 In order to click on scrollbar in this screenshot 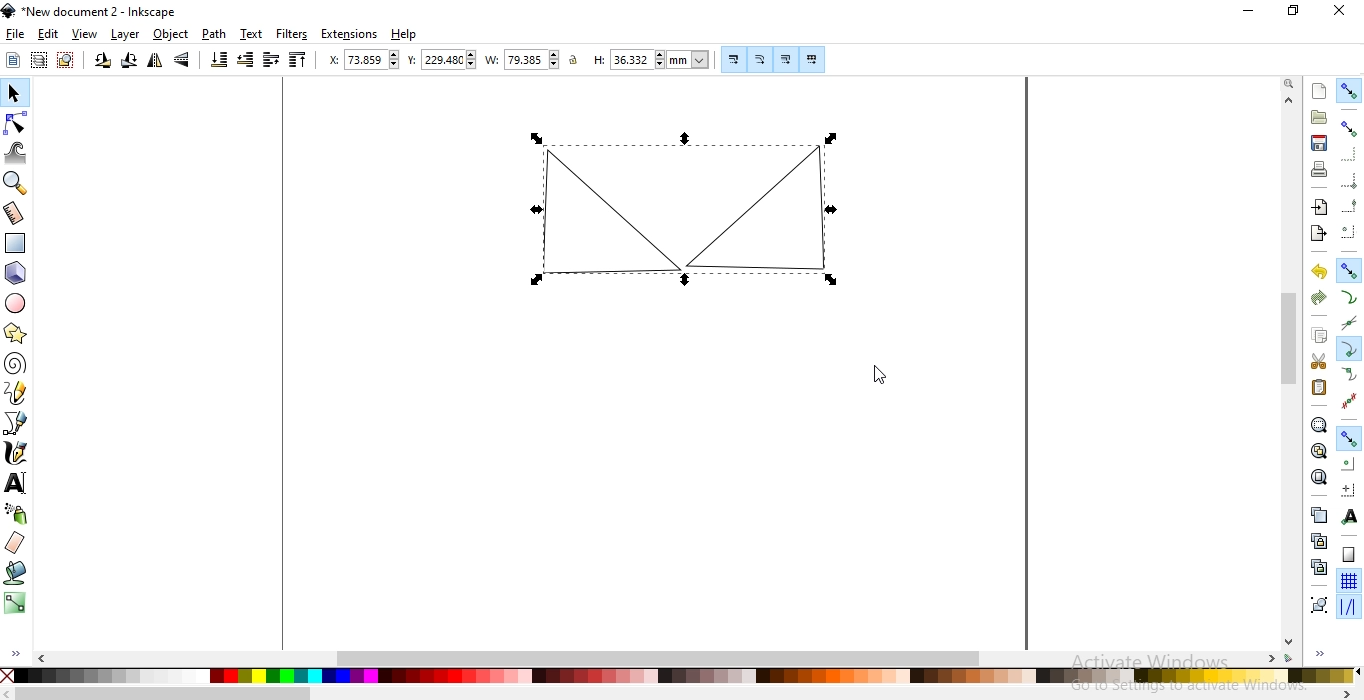, I will do `click(1288, 372)`.